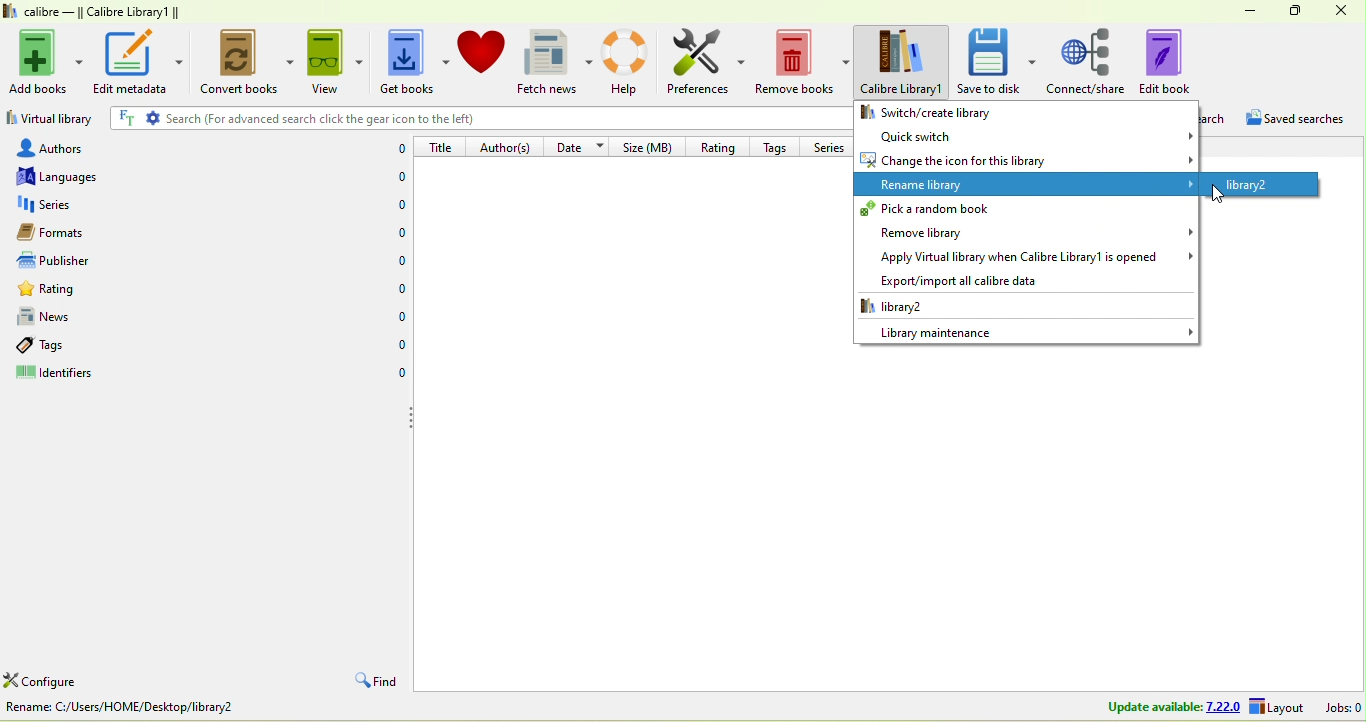 This screenshot has width=1366, height=722. I want to click on identifiers, so click(75, 375).